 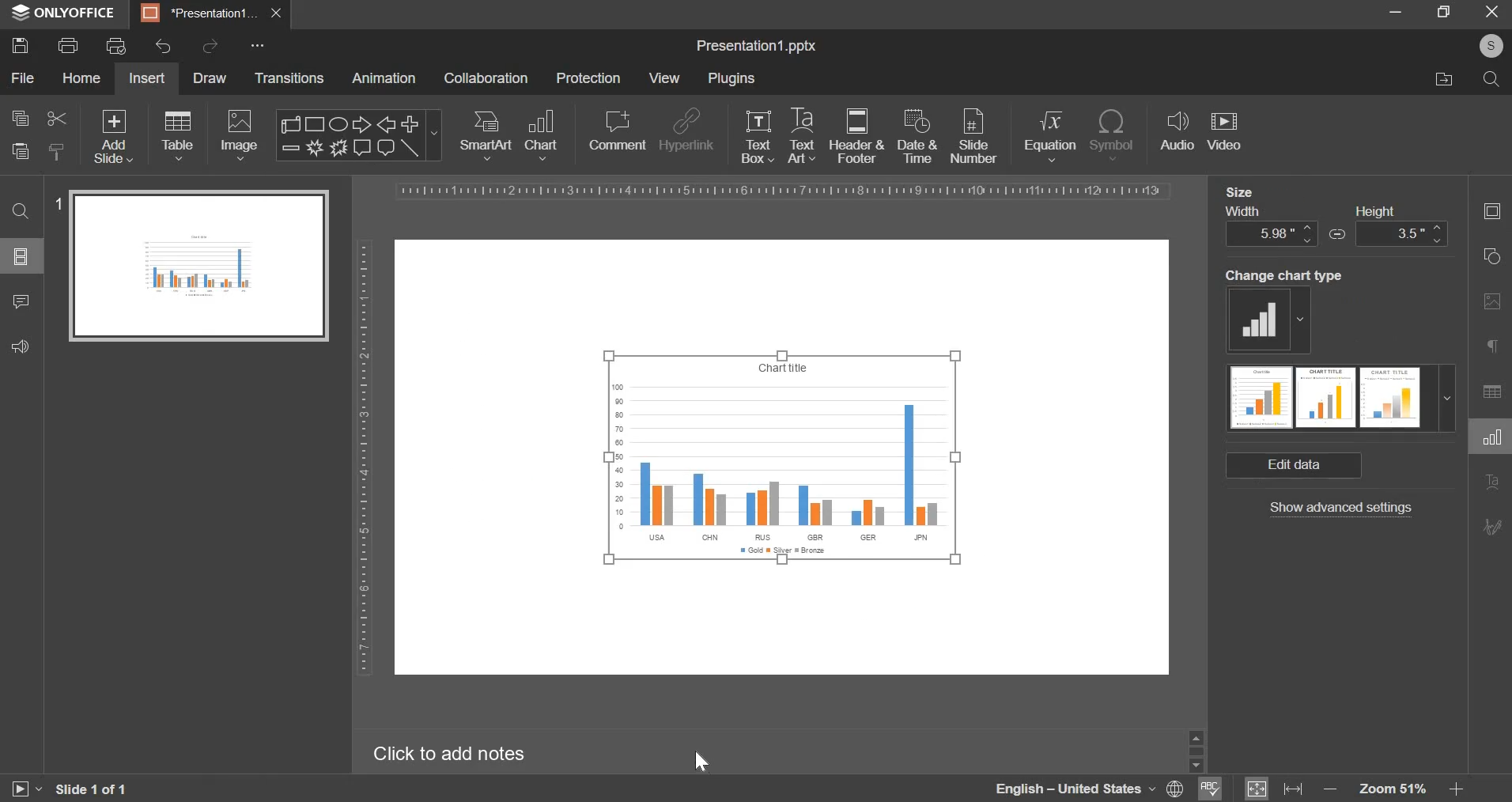 I want to click on fit to slide, so click(x=1257, y=789).